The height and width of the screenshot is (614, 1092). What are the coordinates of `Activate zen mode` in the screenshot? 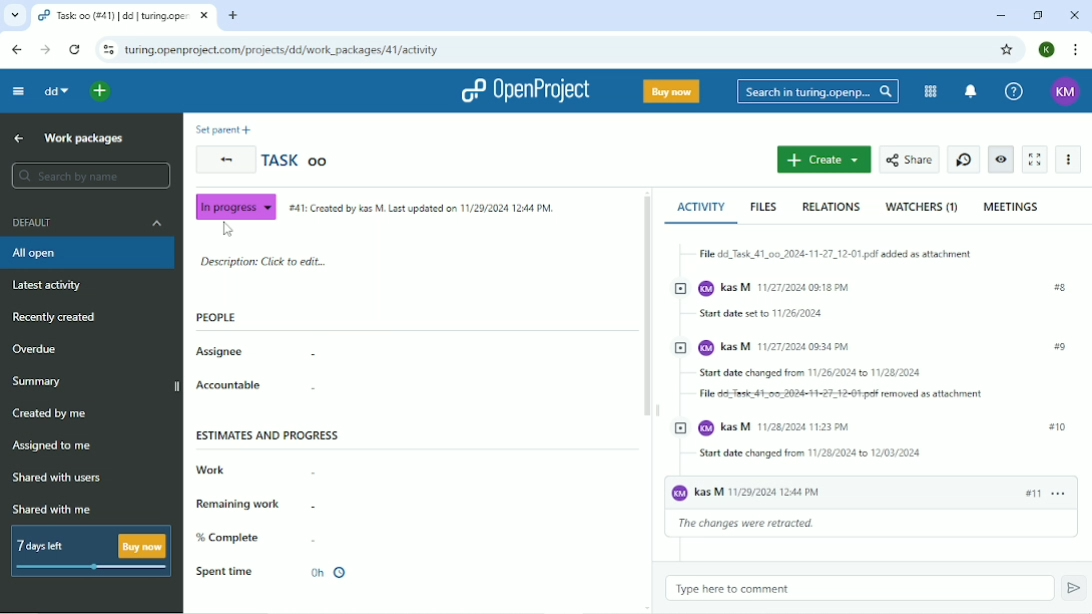 It's located at (1037, 159).